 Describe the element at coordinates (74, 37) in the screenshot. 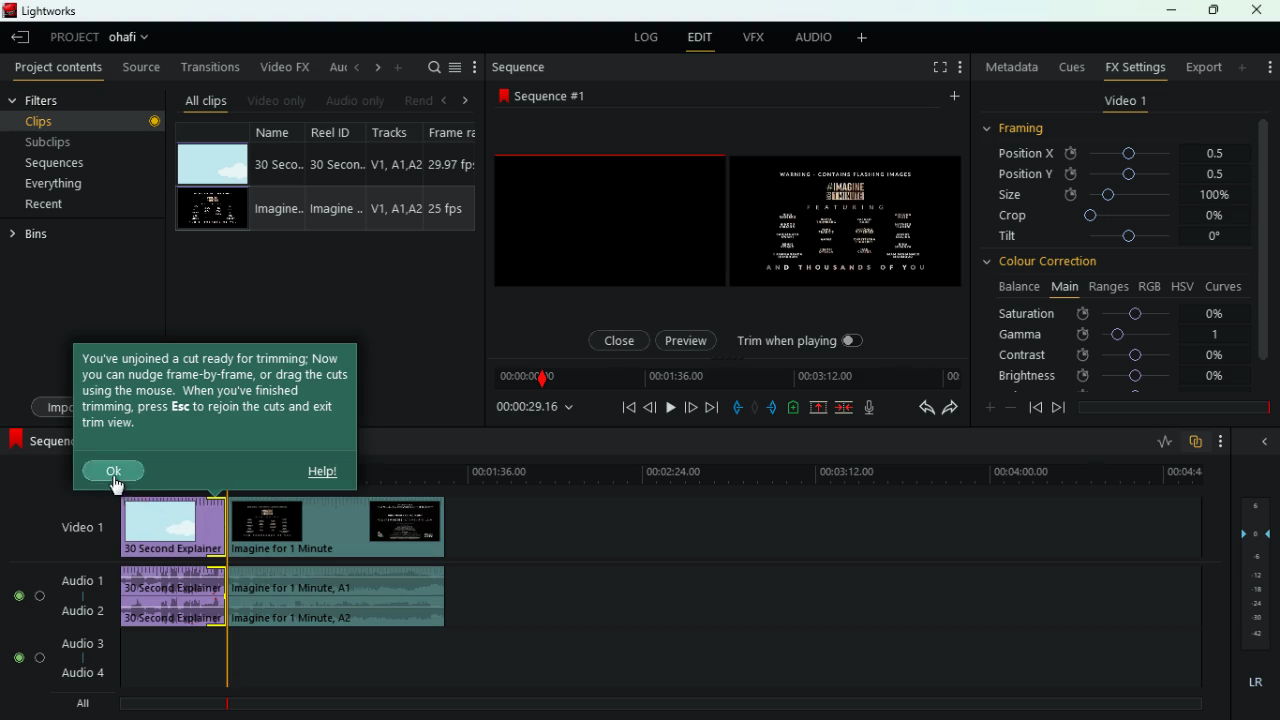

I see `project` at that location.